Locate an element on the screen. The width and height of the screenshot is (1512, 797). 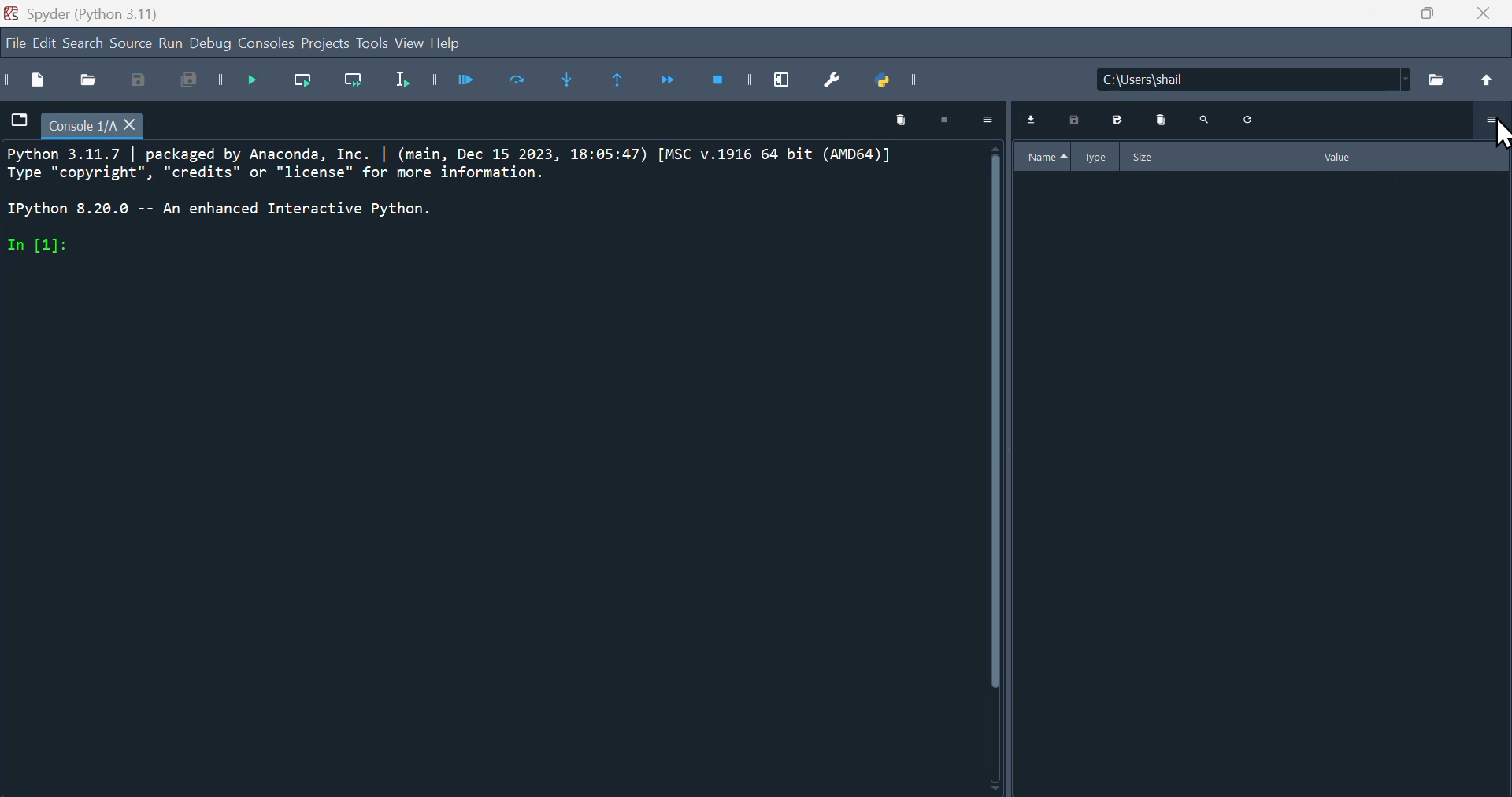
 is located at coordinates (13, 44).